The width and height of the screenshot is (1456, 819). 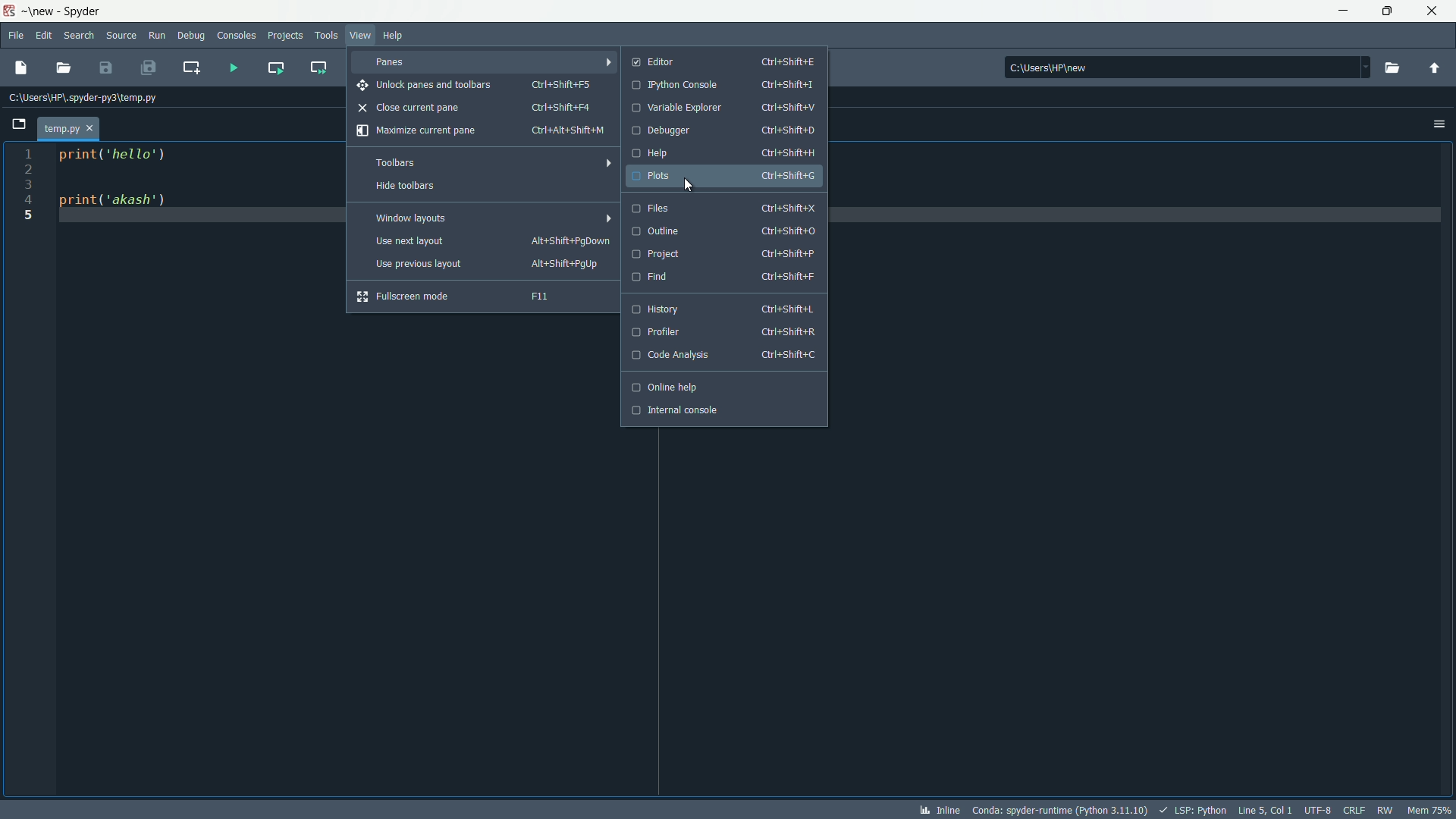 What do you see at coordinates (721, 108) in the screenshot?
I see `variable explorer` at bounding box center [721, 108].